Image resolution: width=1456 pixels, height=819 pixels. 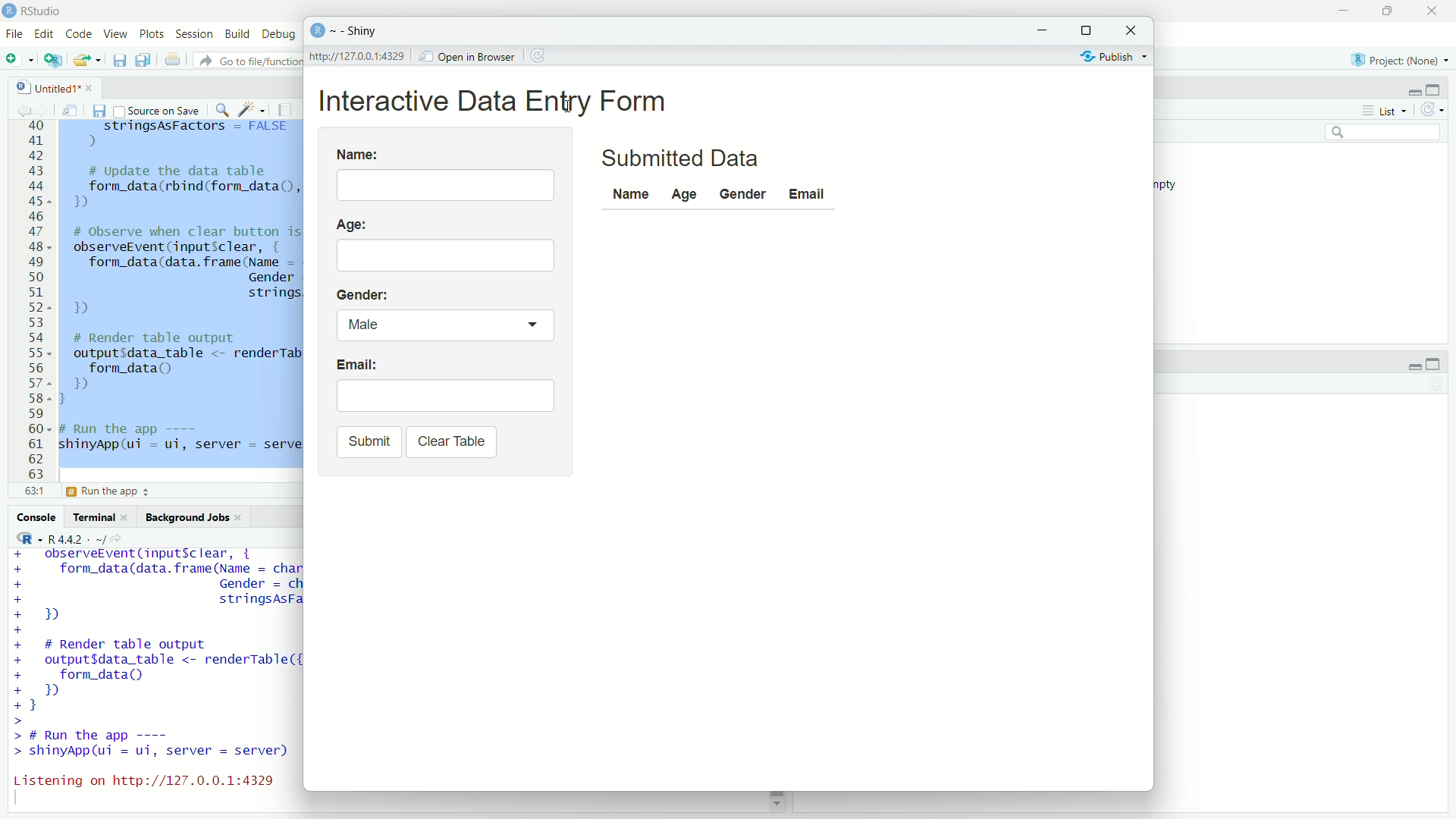 I want to click on minimize, so click(x=1046, y=28).